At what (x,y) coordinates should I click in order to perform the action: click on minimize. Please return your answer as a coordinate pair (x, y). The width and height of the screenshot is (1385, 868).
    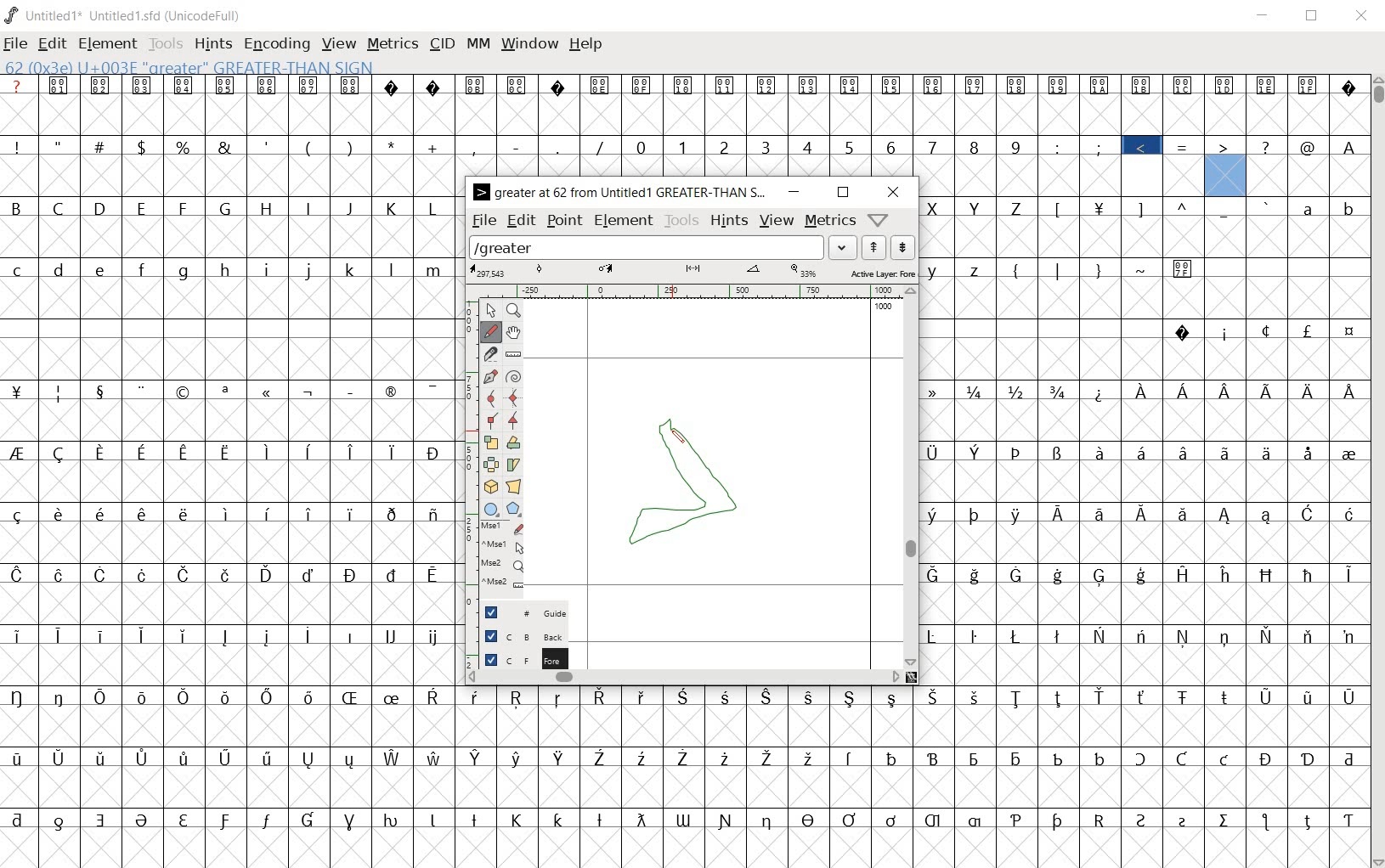
    Looking at the image, I should click on (792, 192).